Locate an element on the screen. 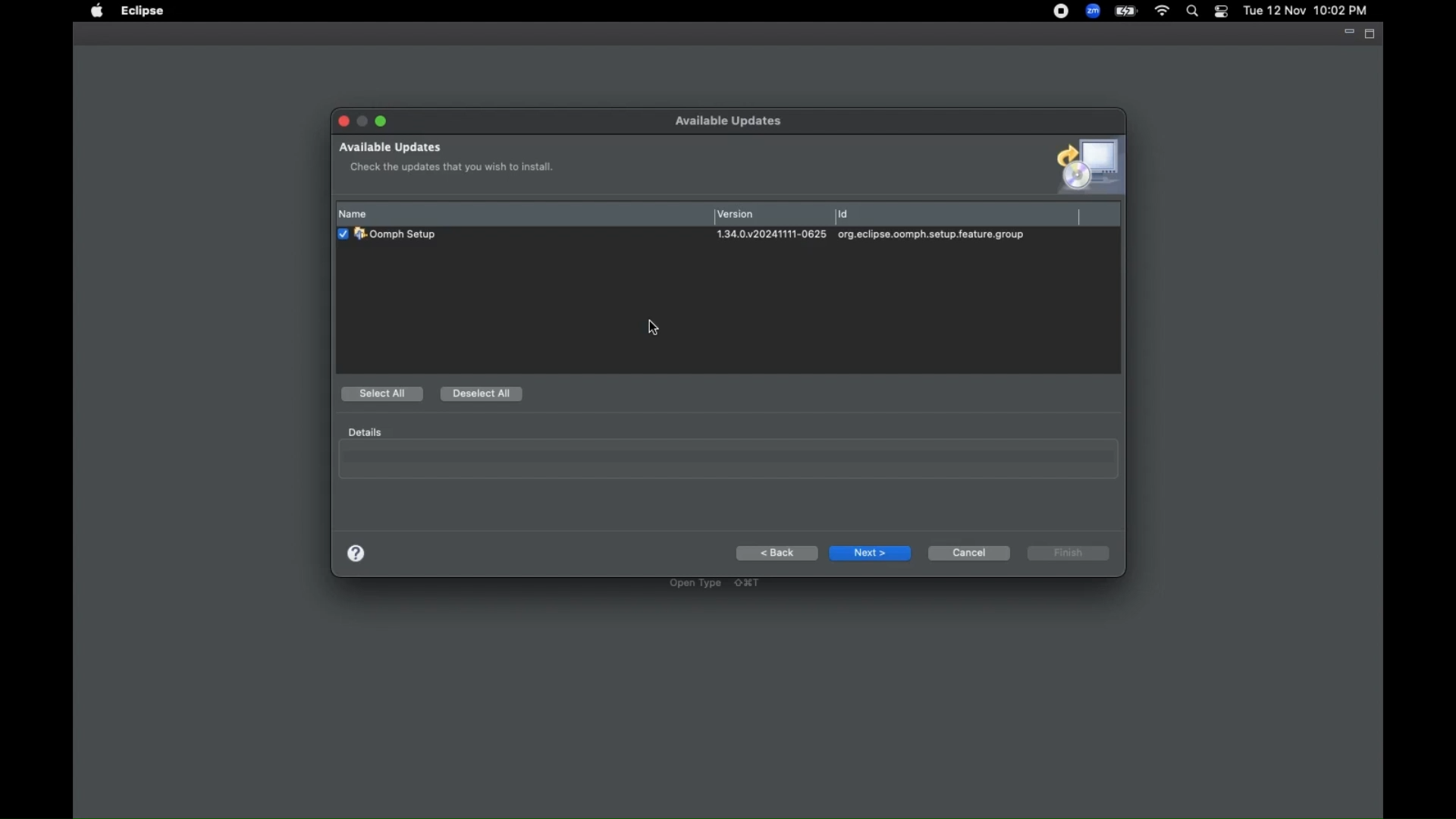 This screenshot has width=1456, height=819. Toggle on/off is located at coordinates (1220, 11).